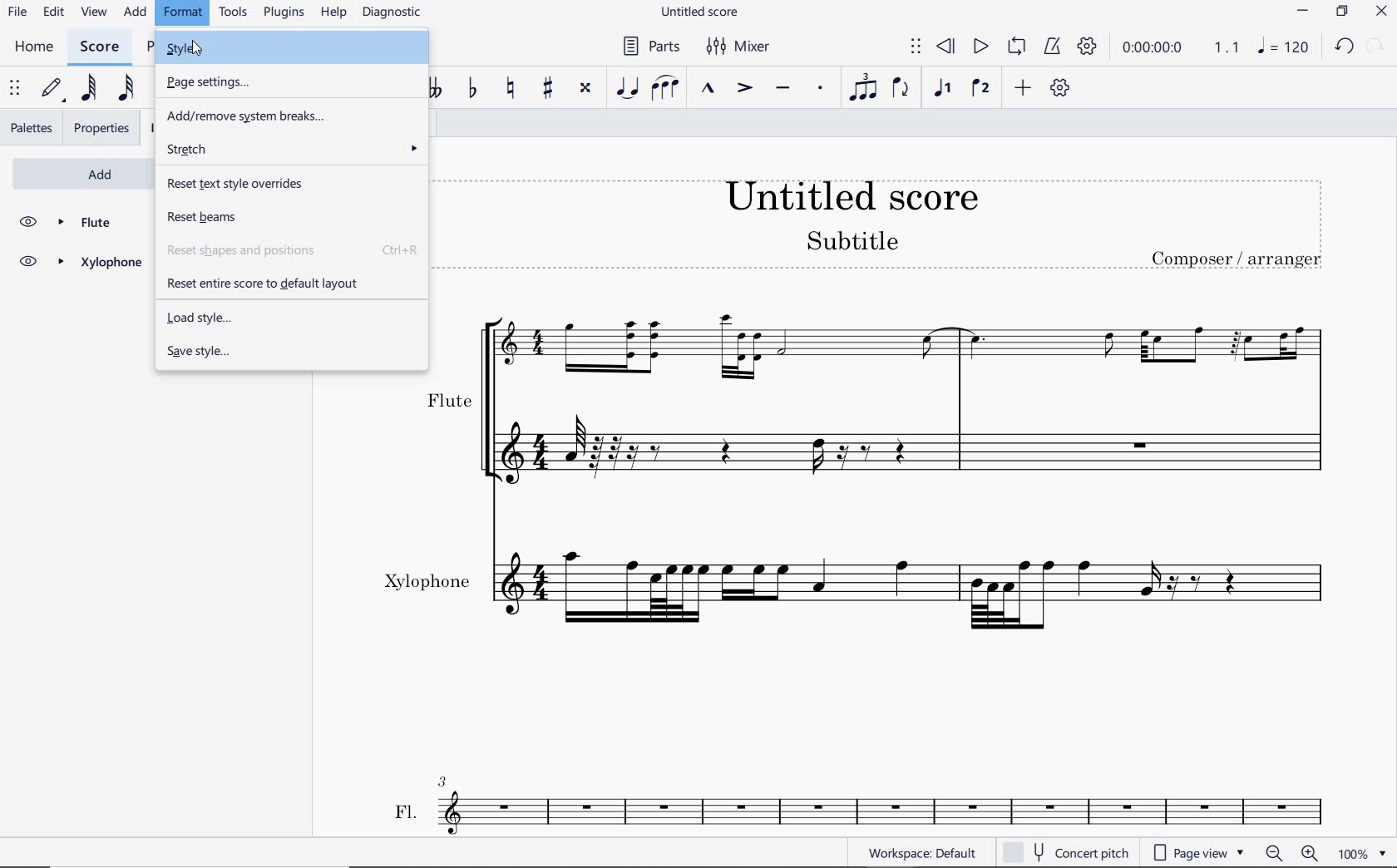 This screenshot has width=1397, height=868. I want to click on SELECT TO MOVE, so click(15, 89).